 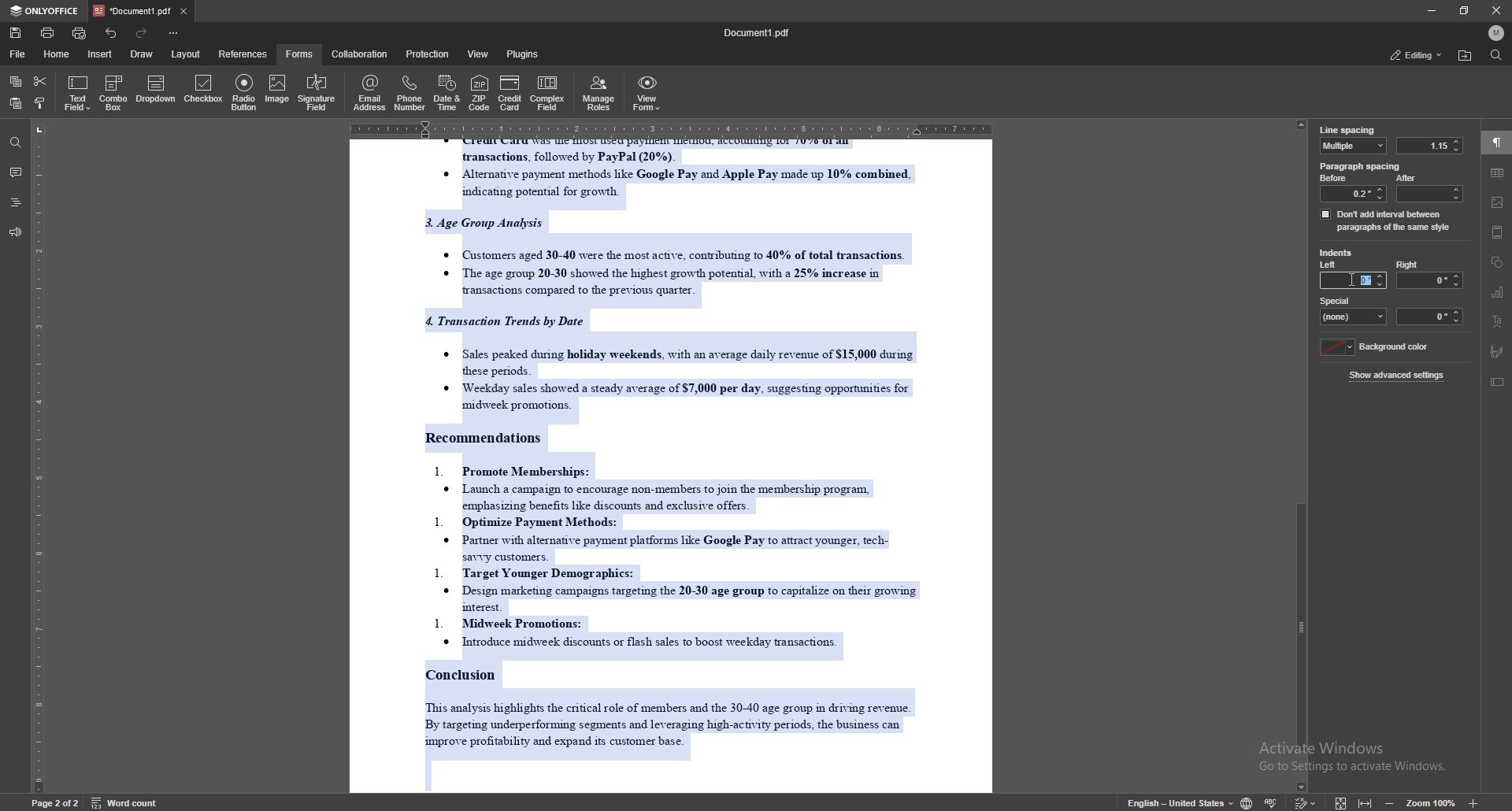 I want to click on change doc language, so click(x=1247, y=802).